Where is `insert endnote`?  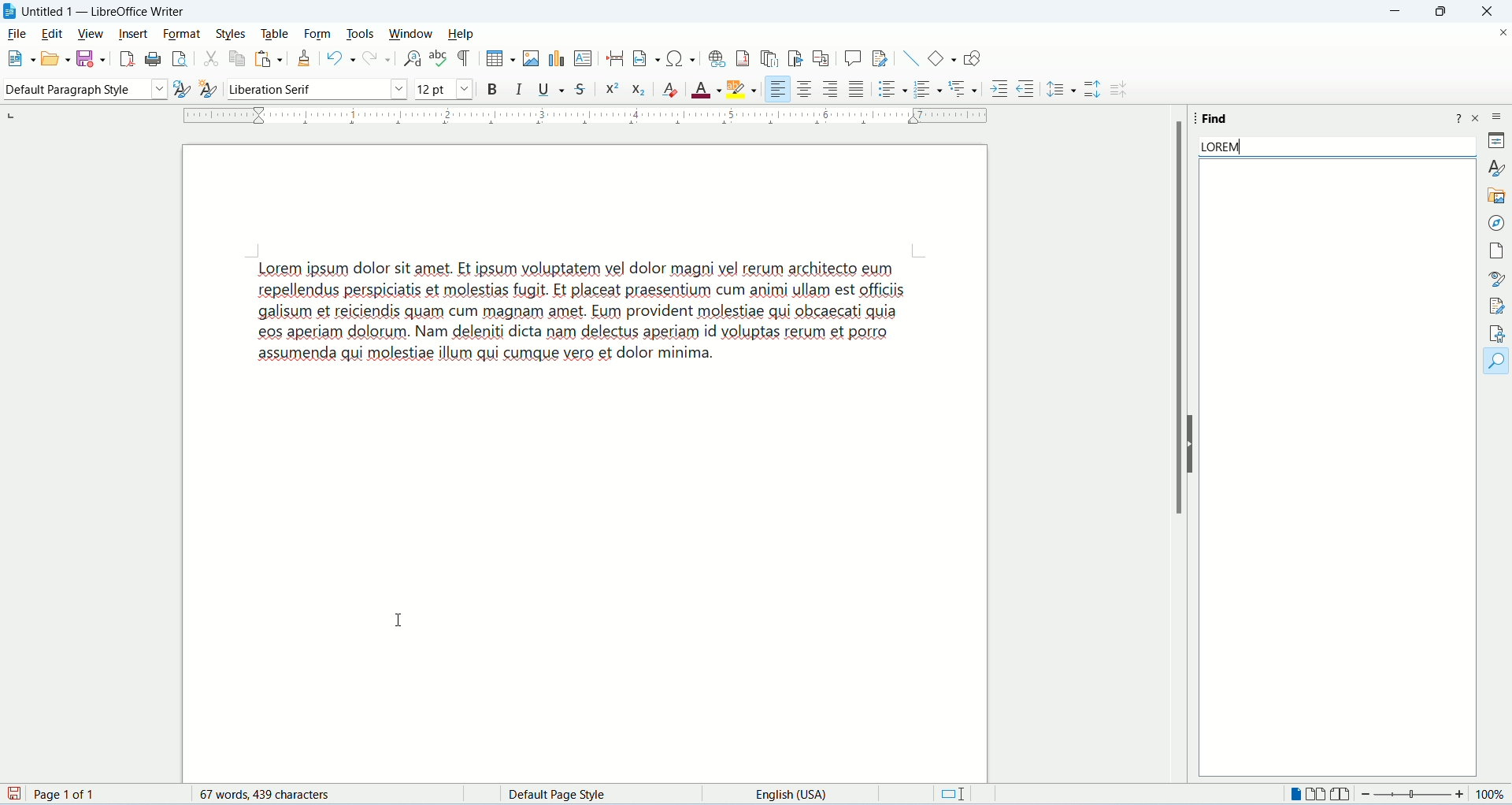 insert endnote is located at coordinates (772, 61).